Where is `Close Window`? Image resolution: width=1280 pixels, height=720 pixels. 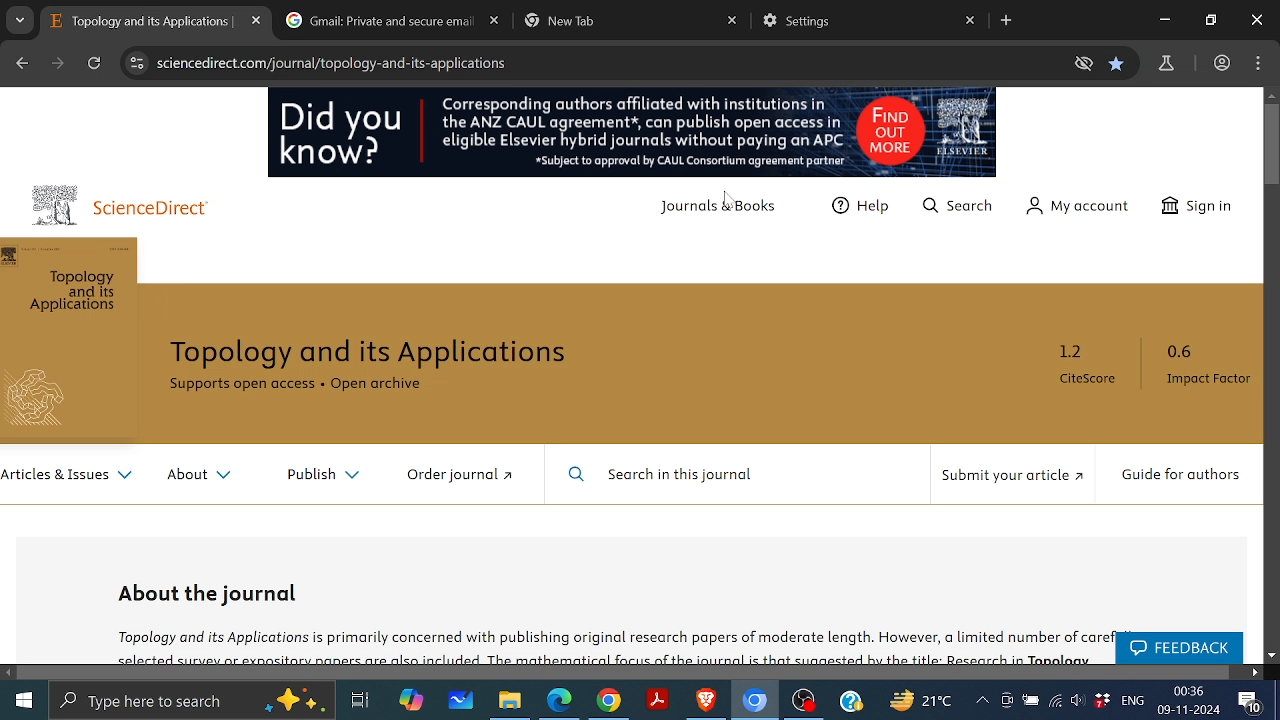 Close Window is located at coordinates (1256, 20).